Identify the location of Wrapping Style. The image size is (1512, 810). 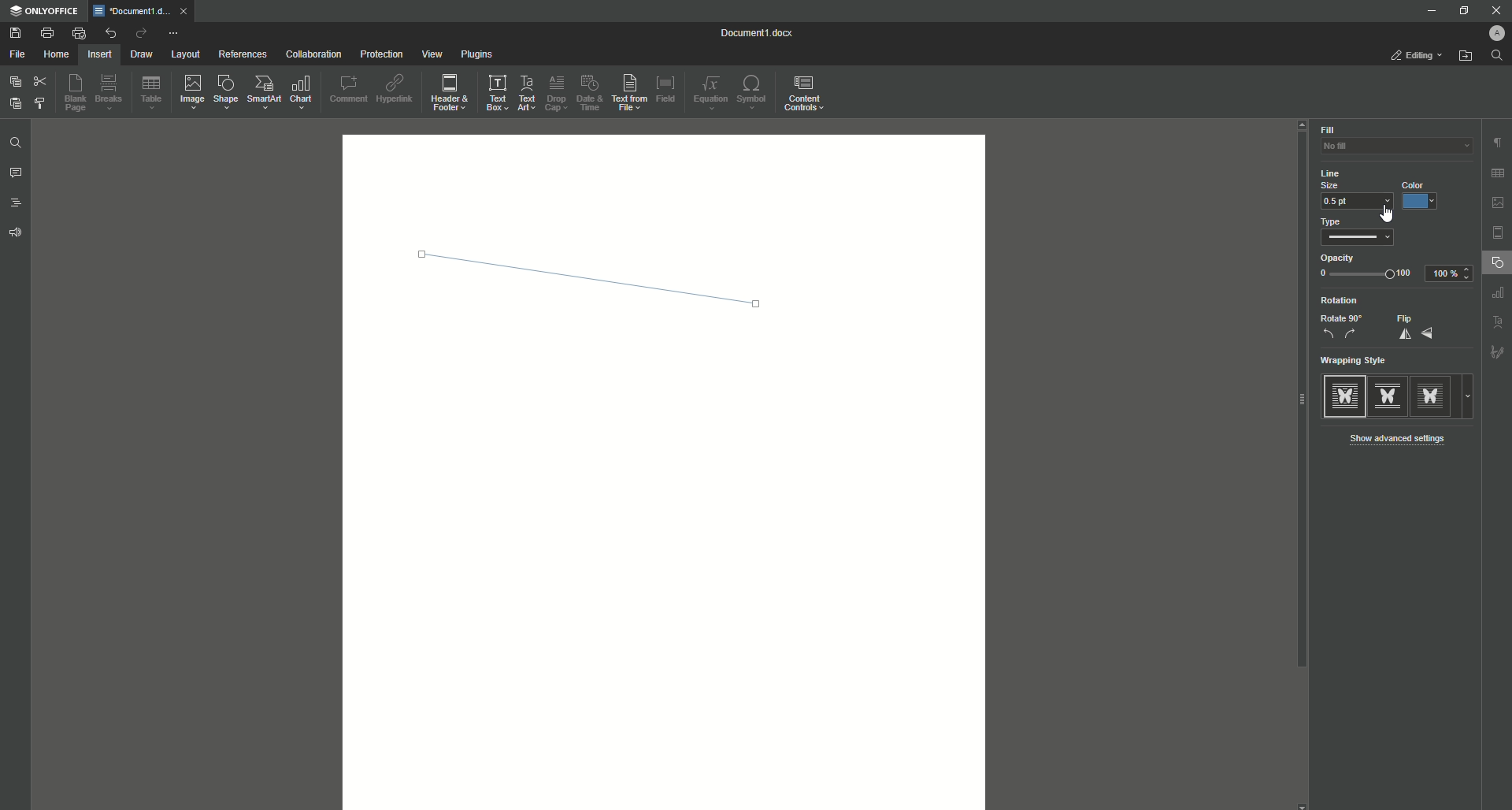
(1358, 362).